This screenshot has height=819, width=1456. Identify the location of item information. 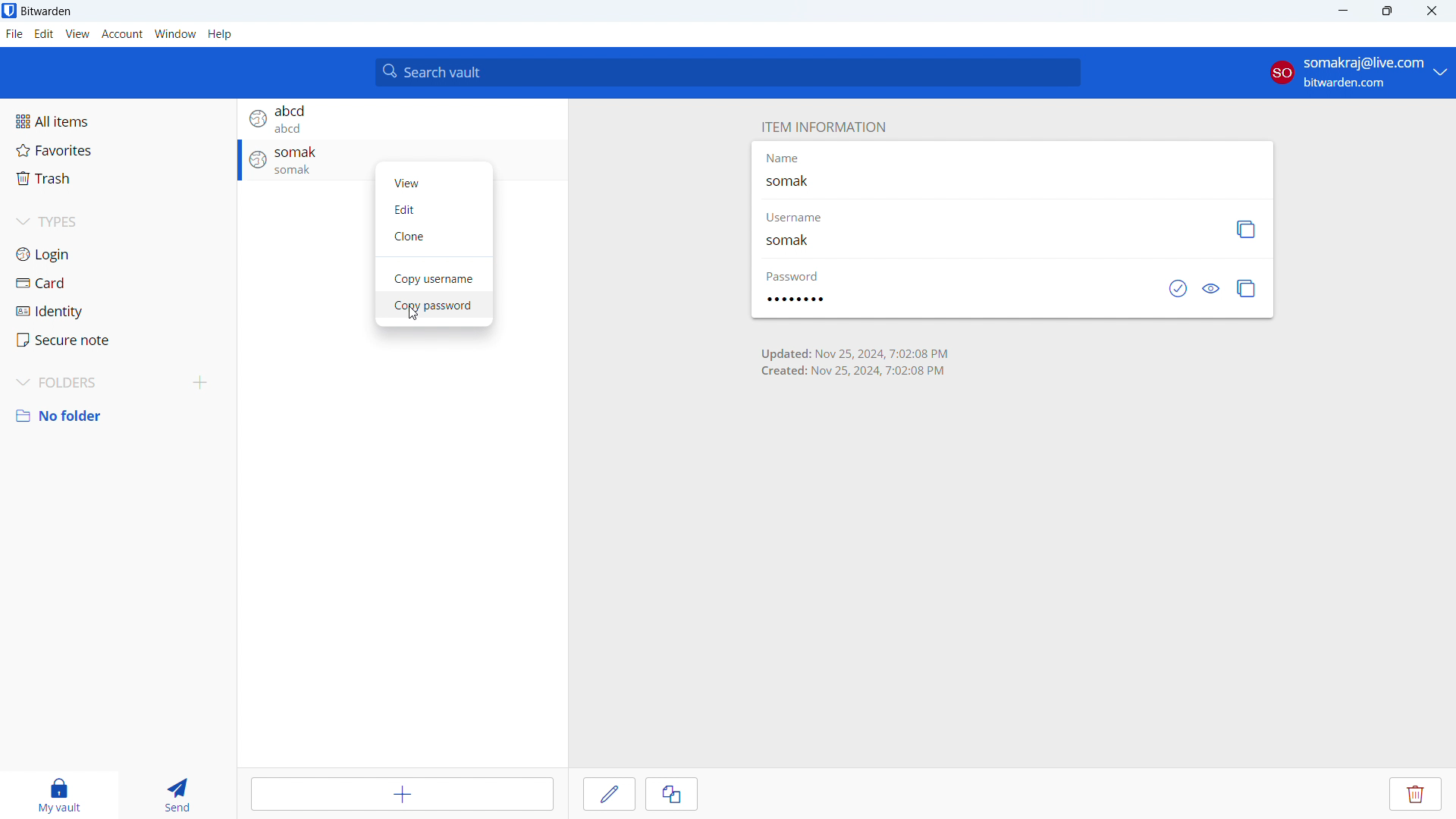
(823, 128).